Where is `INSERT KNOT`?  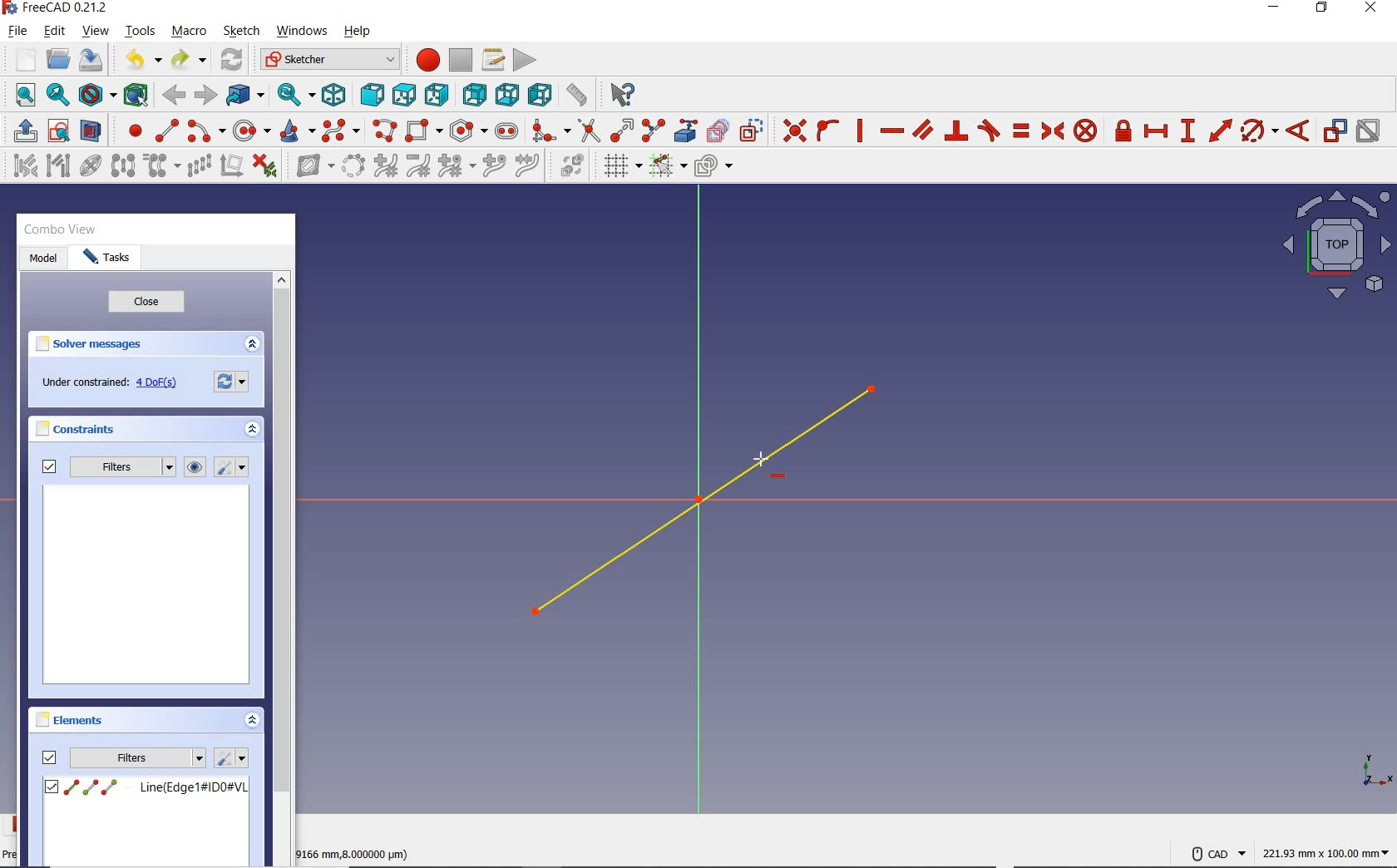
INSERT KNOT is located at coordinates (491, 167).